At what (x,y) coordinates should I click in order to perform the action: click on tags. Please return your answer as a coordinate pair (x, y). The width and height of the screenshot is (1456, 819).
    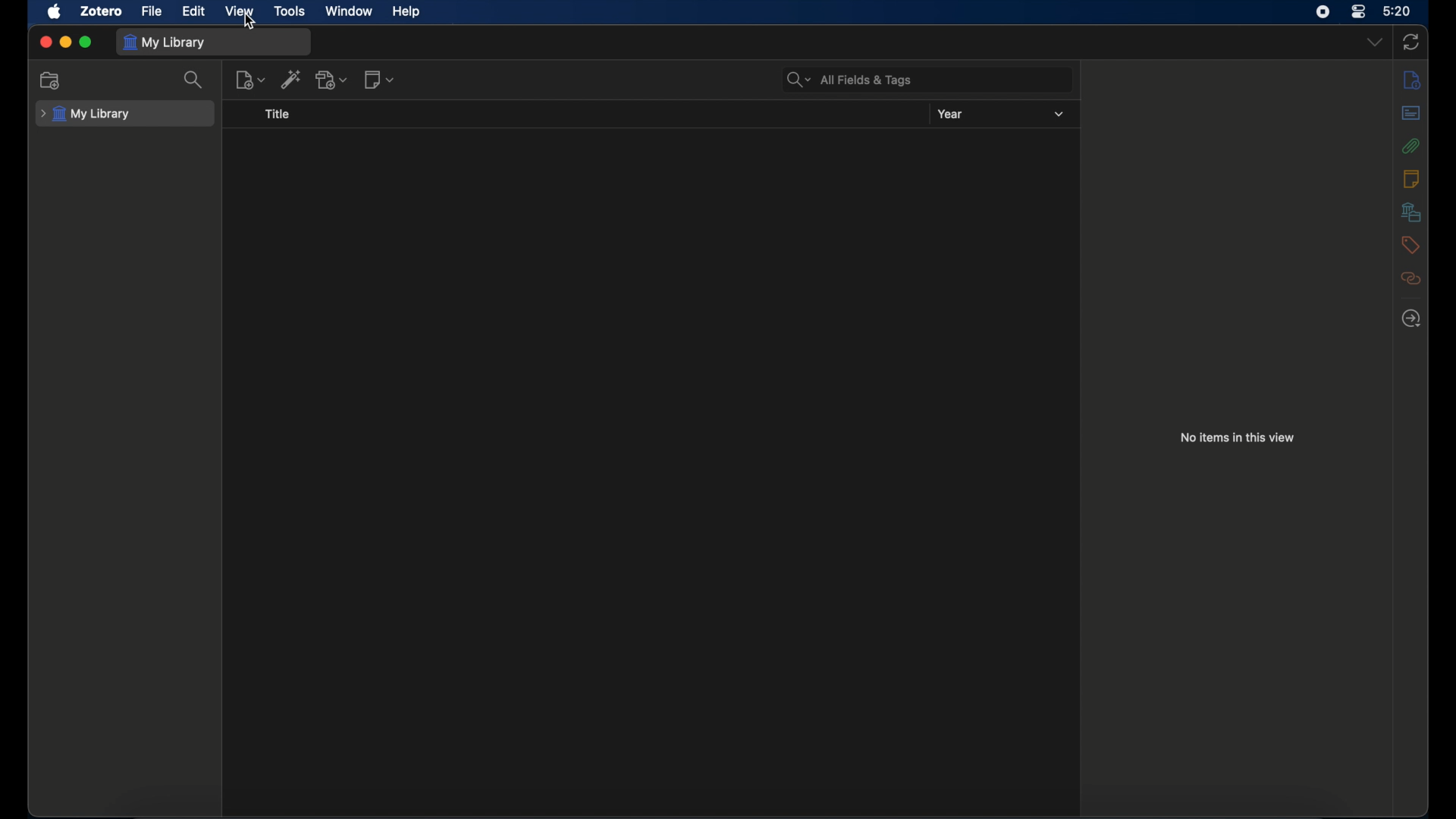
    Looking at the image, I should click on (1409, 245).